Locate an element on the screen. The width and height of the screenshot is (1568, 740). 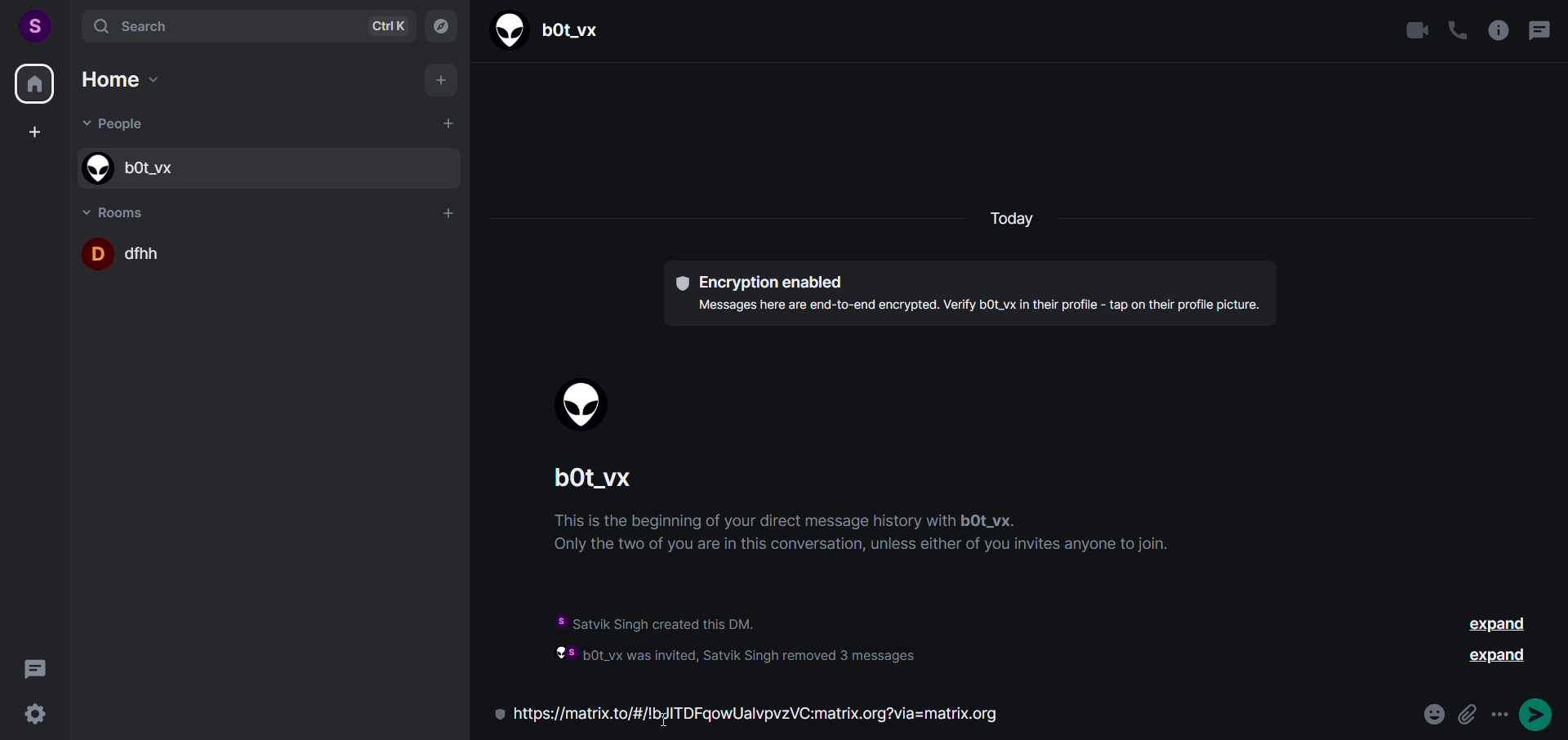
cursor is located at coordinates (666, 720).